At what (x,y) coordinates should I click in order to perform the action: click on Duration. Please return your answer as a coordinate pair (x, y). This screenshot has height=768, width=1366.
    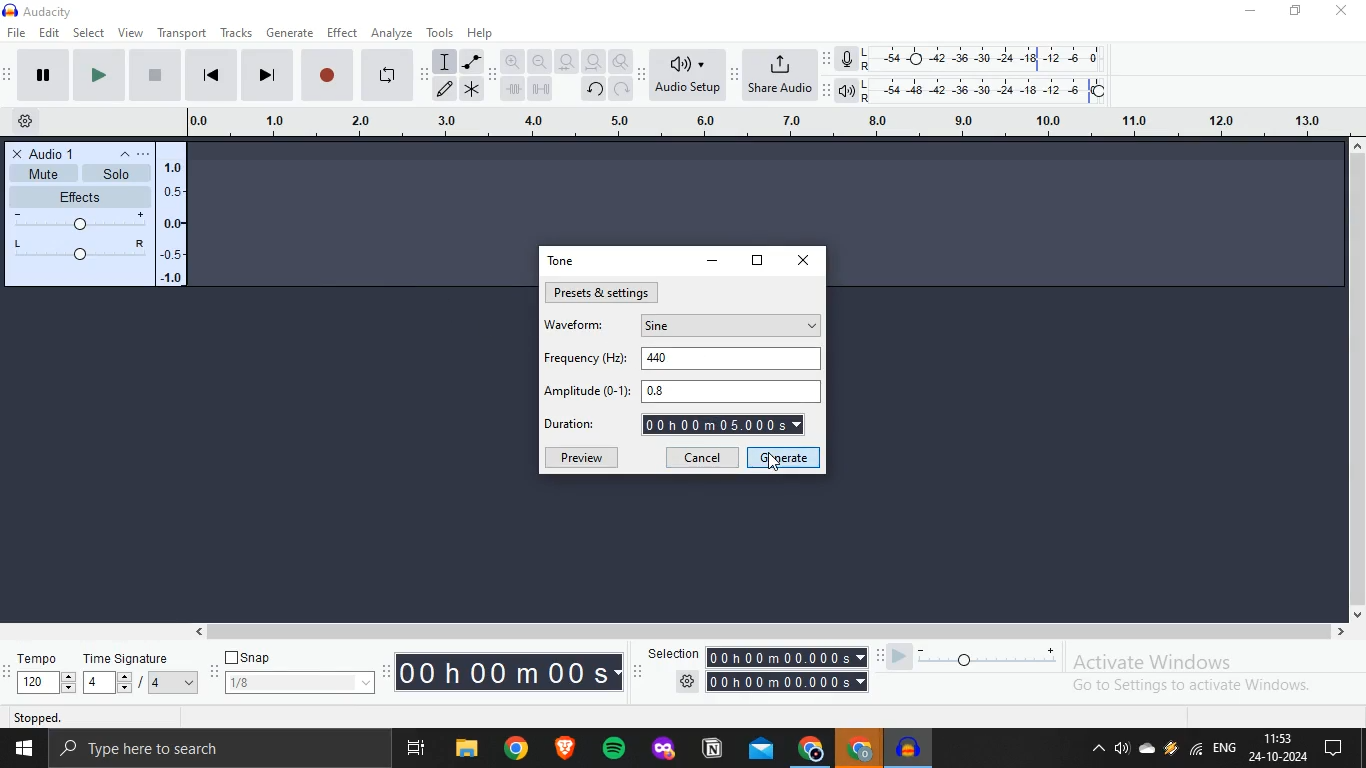
    Looking at the image, I should click on (576, 421).